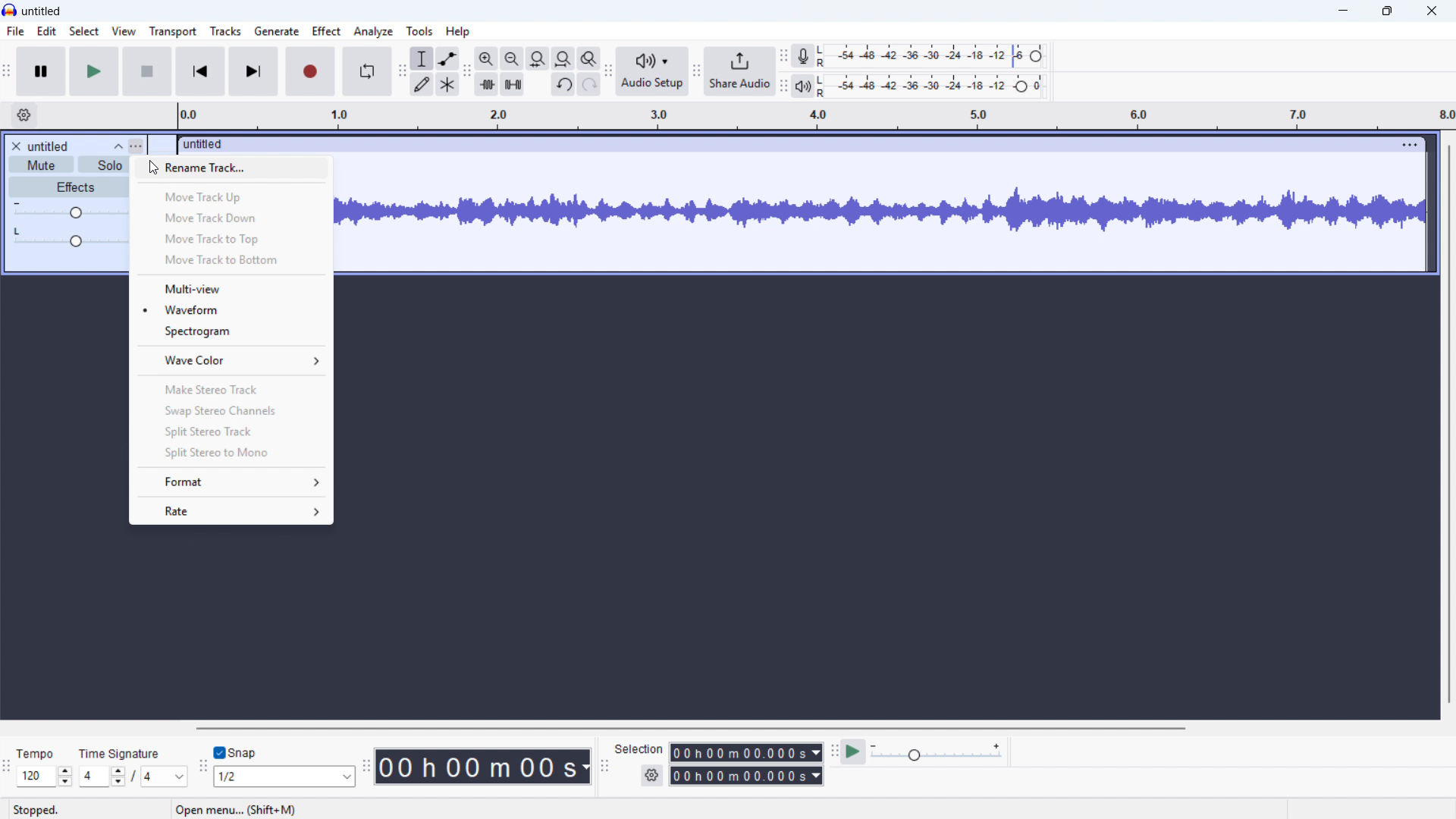  I want to click on Enable looping , so click(366, 71).